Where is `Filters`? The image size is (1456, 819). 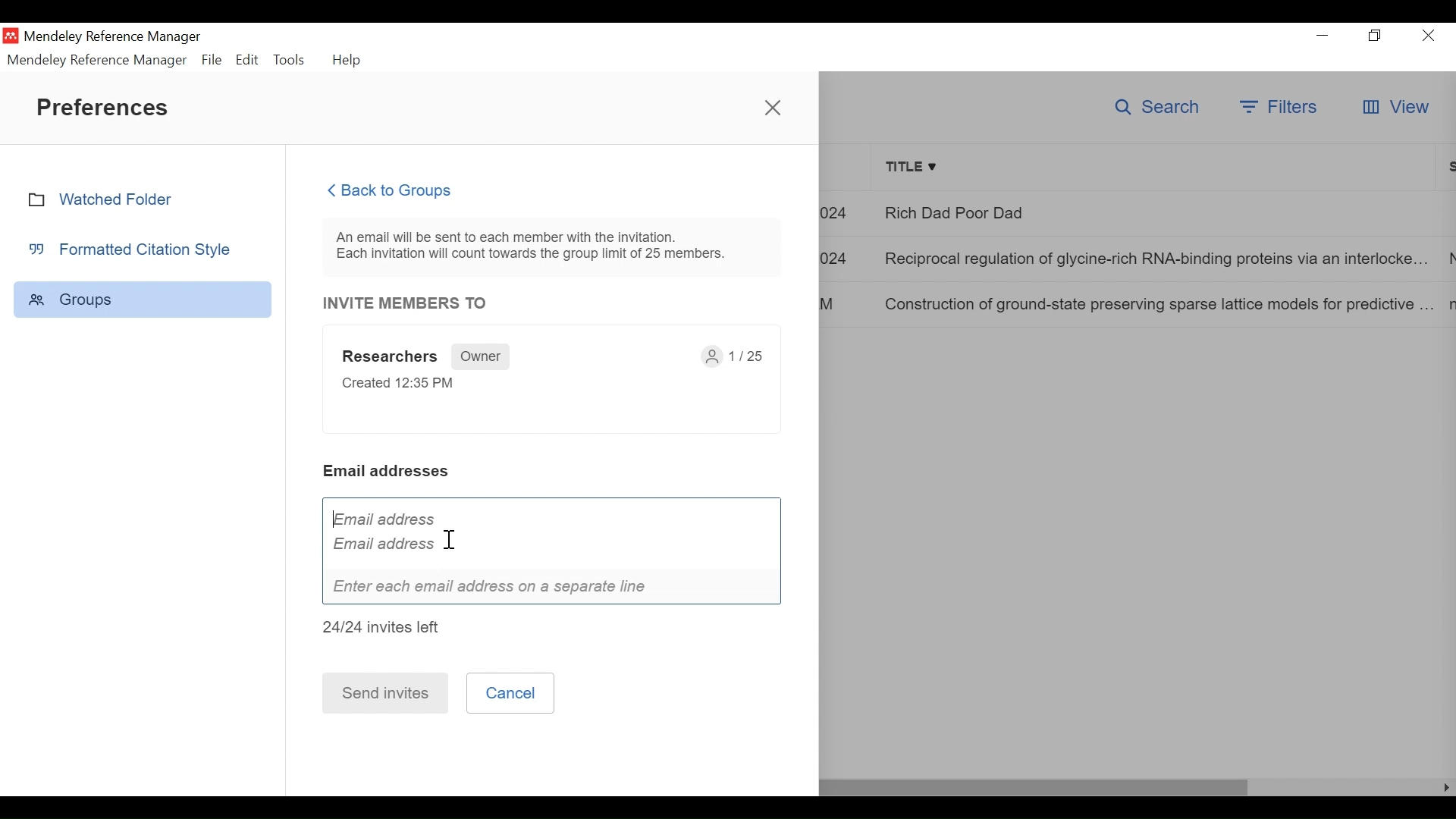 Filters is located at coordinates (1278, 106).